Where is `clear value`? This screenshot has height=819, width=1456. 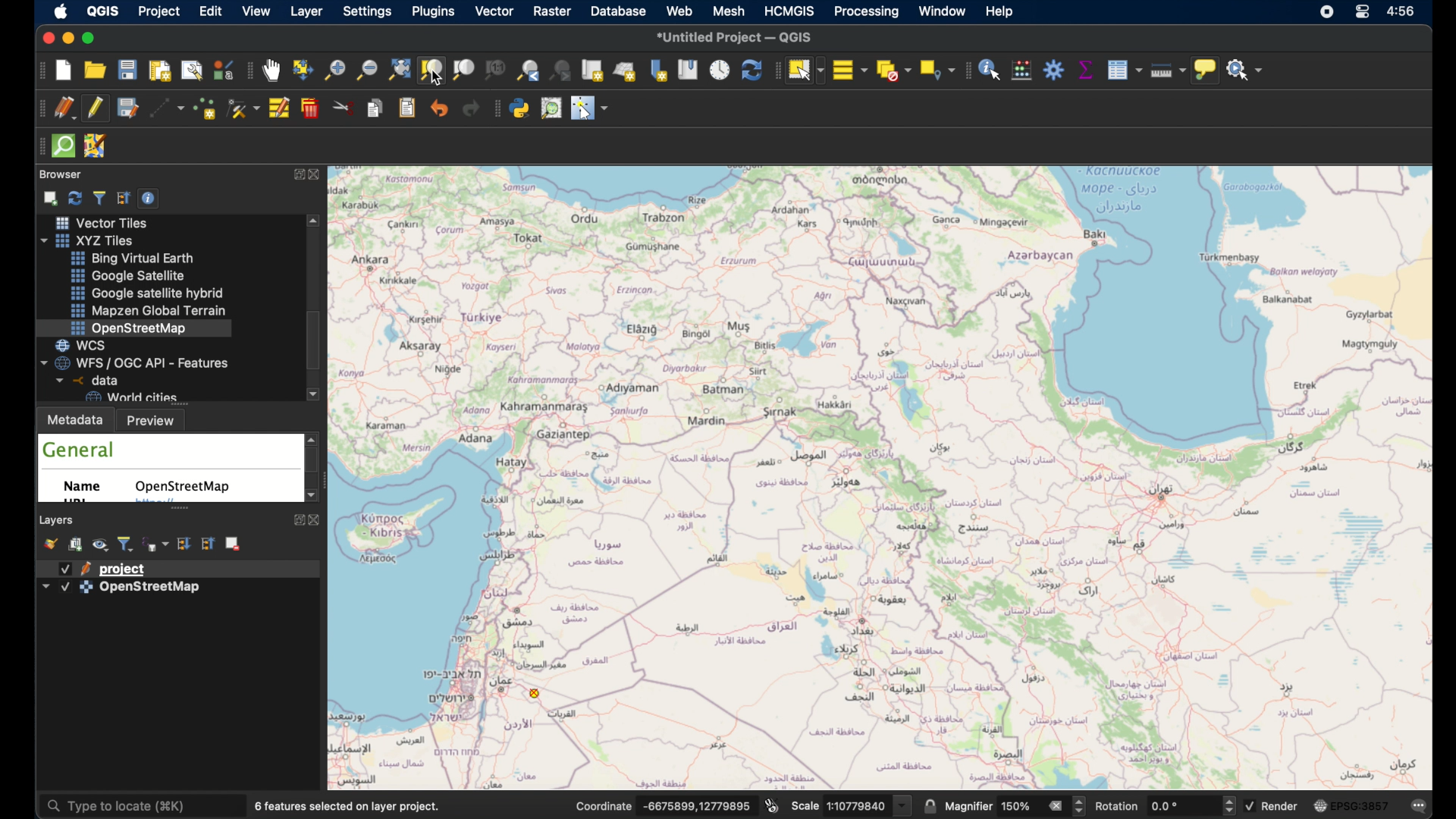
clear value is located at coordinates (1055, 805).